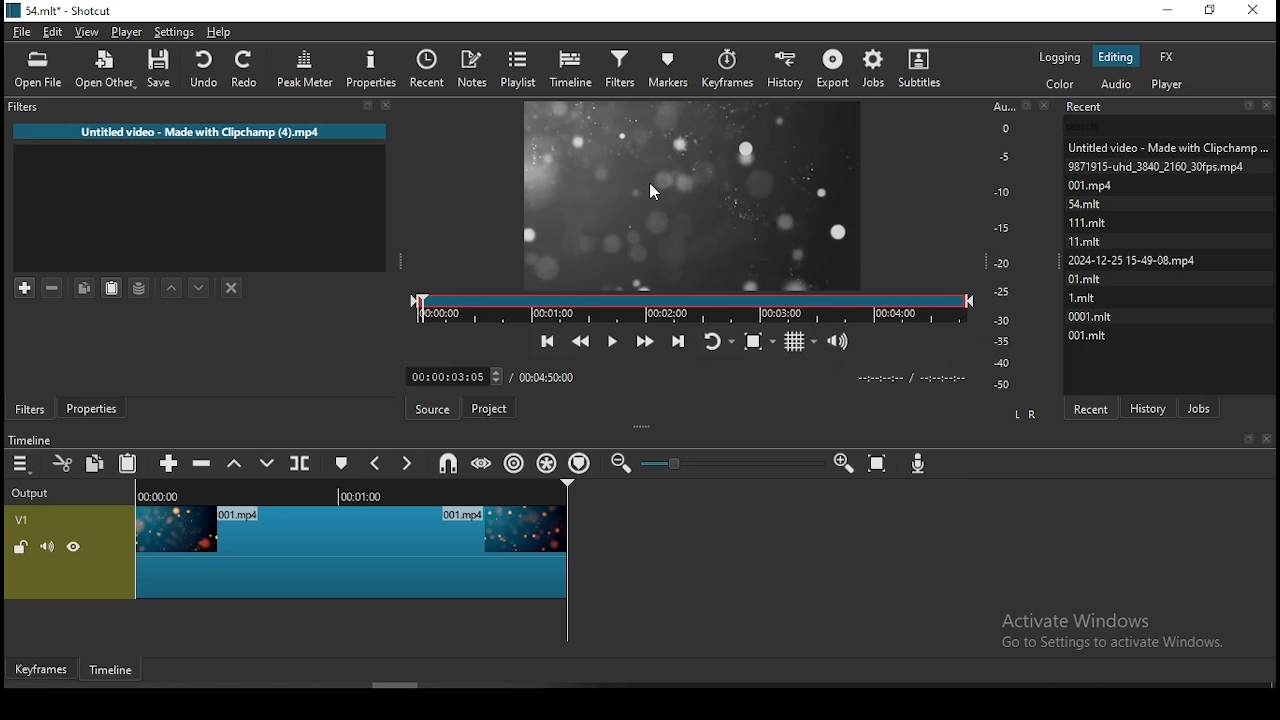 The image size is (1280, 720). Describe the element at coordinates (352, 494) in the screenshot. I see `timeline` at that location.